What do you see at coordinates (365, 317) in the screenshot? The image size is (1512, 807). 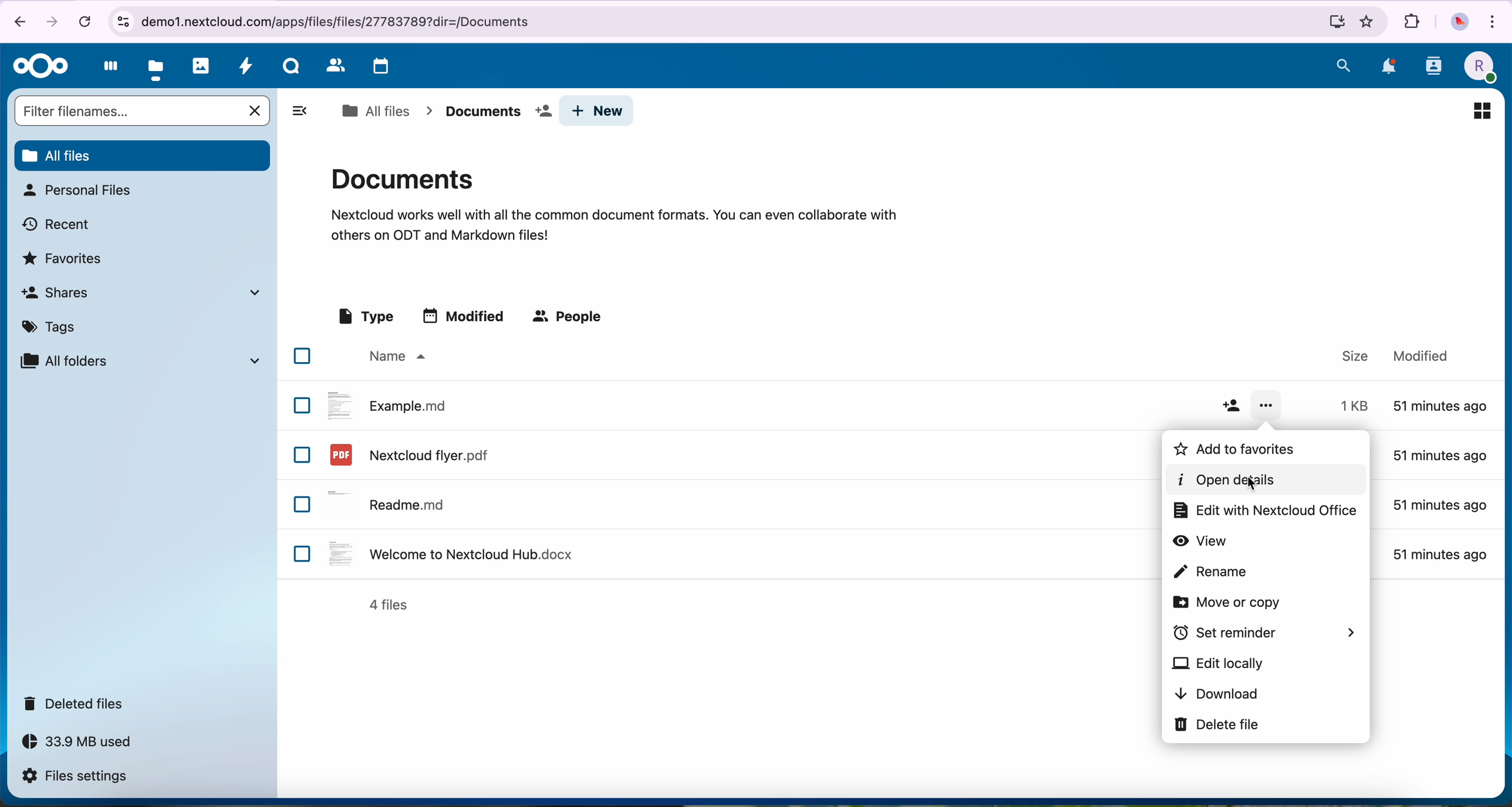 I see `type` at bounding box center [365, 317].